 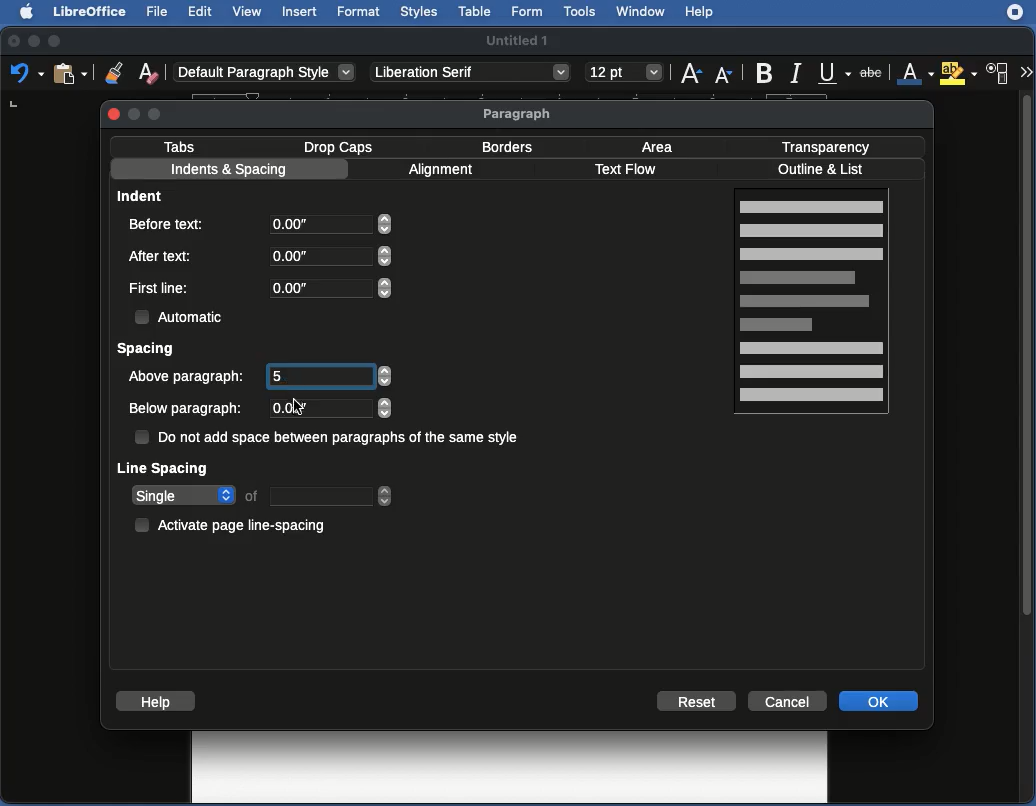 I want to click on LibreOffice, so click(x=87, y=13).